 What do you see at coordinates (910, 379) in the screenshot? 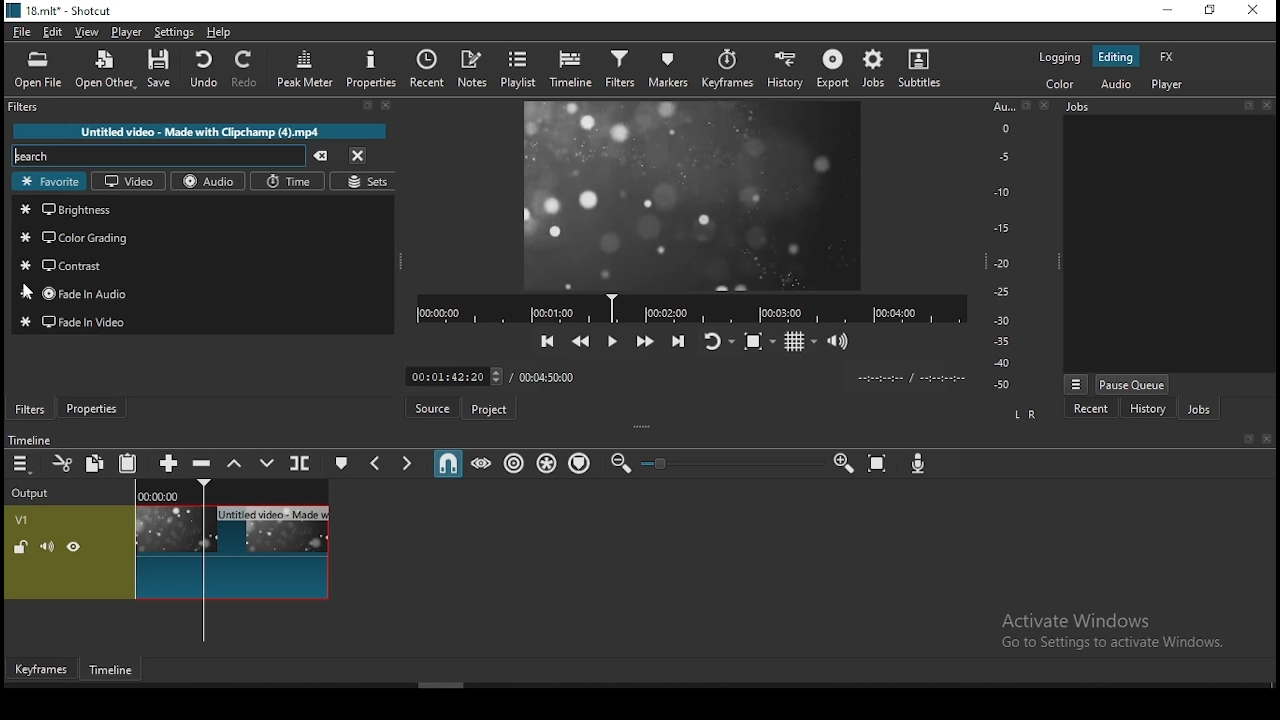
I see `Clip Time` at bounding box center [910, 379].